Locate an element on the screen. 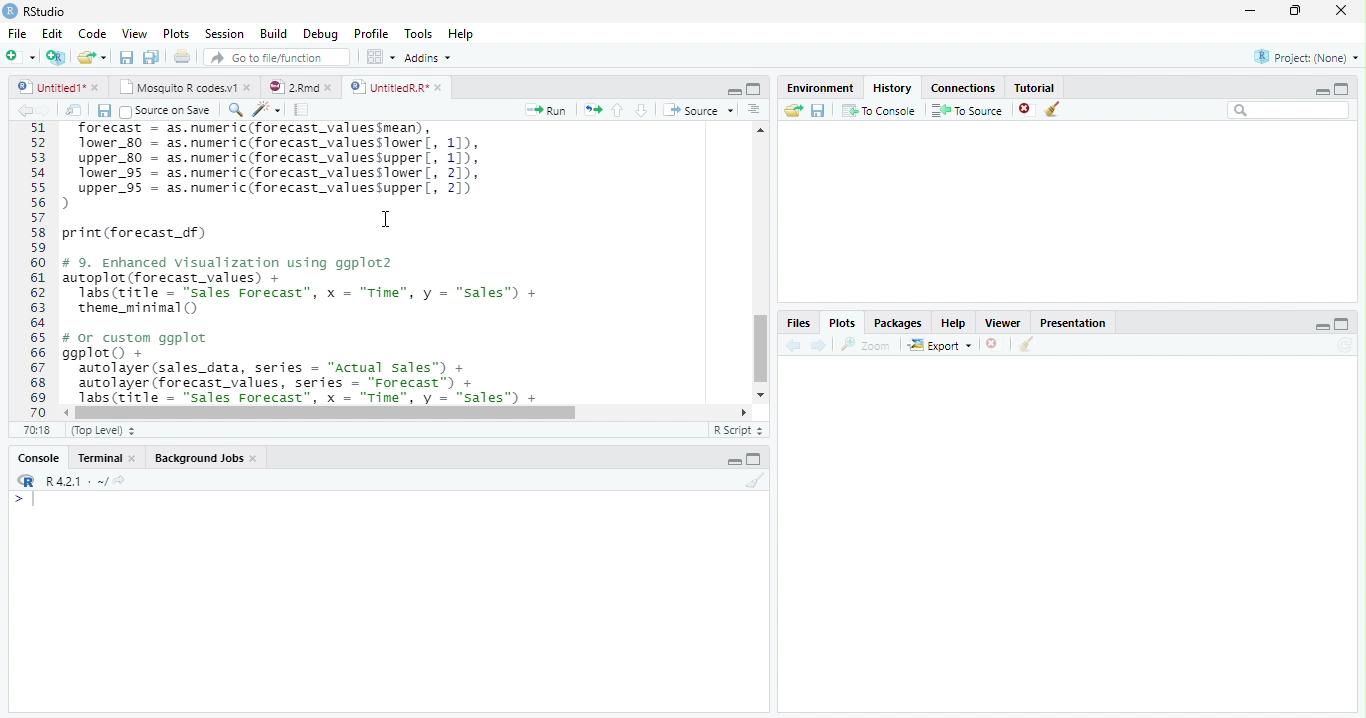  Create file is located at coordinates (21, 58).